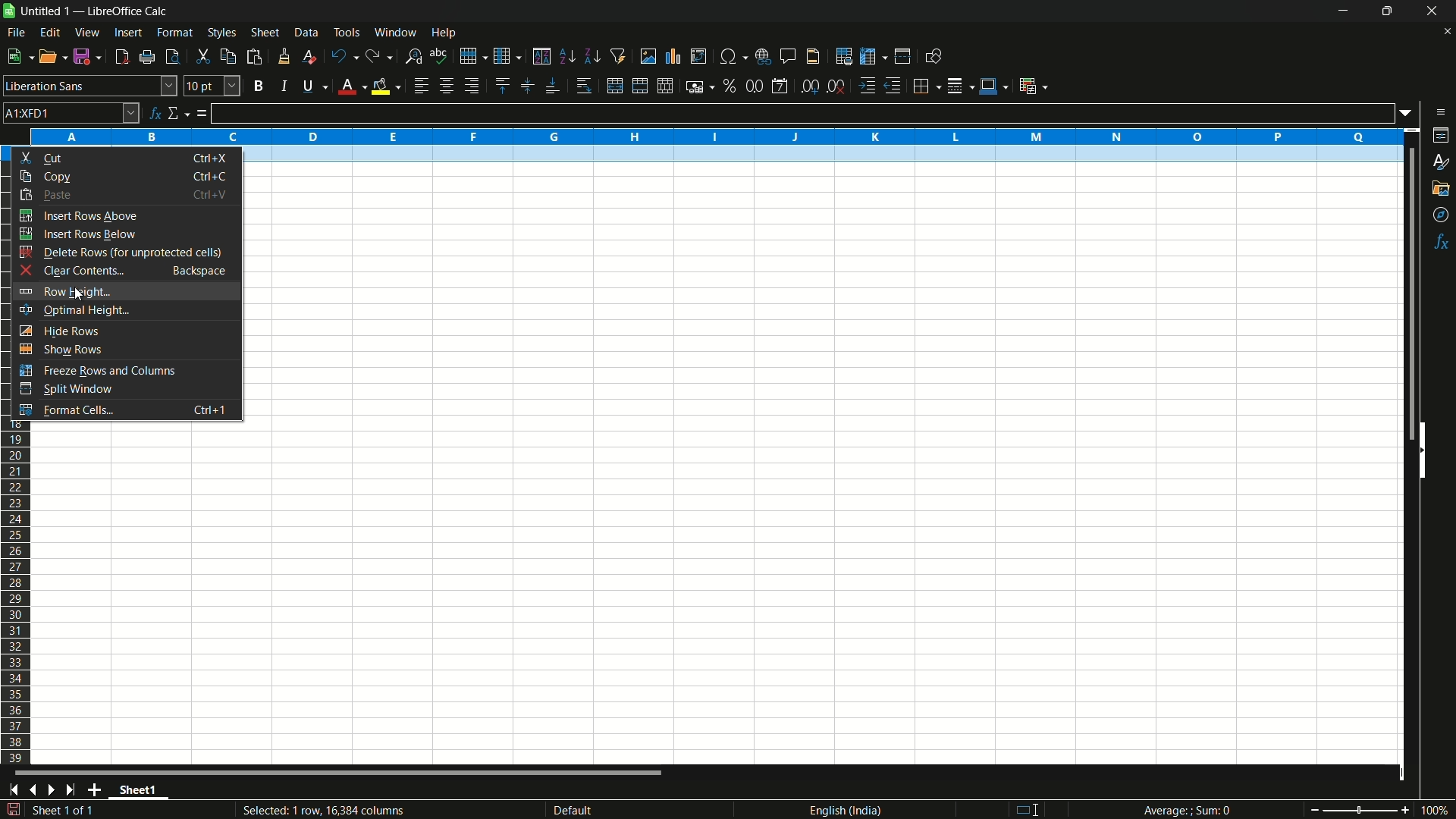  Describe the element at coordinates (68, 812) in the screenshot. I see `sheet 1 of 1` at that location.